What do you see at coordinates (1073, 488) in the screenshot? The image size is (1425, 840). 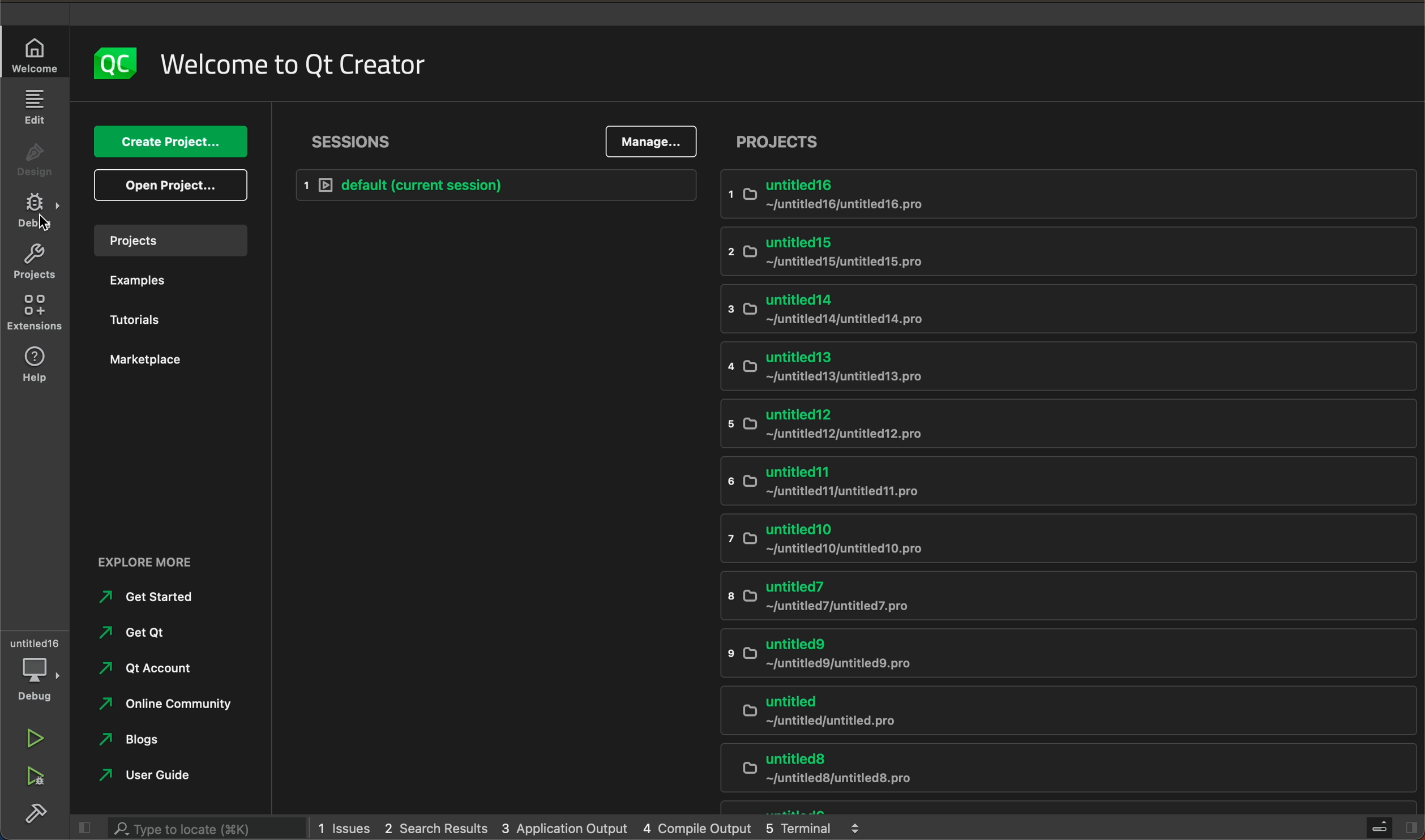 I see `projects list` at bounding box center [1073, 488].